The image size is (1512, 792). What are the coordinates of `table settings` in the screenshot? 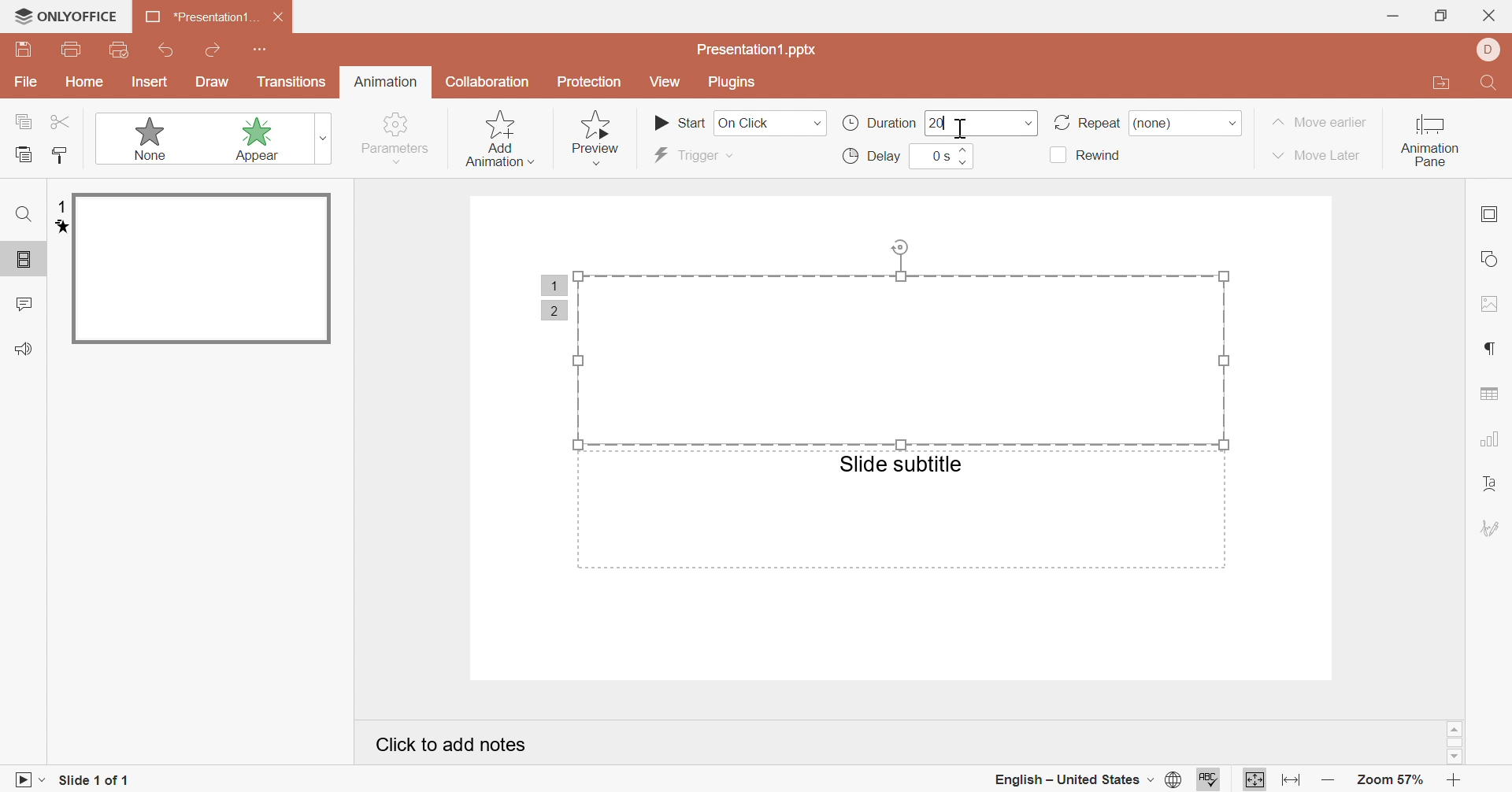 It's located at (1489, 393).